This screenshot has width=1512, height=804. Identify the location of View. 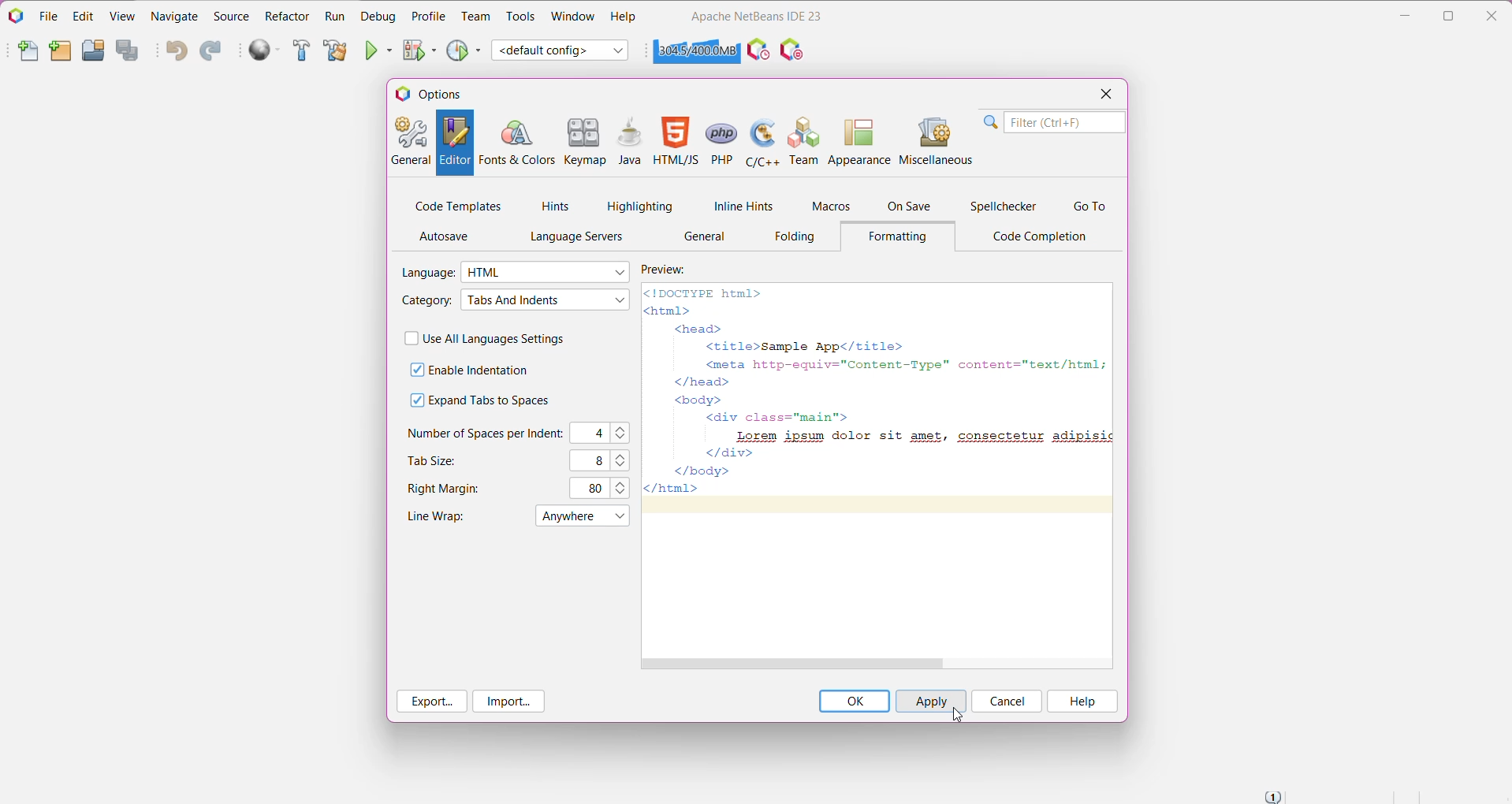
(124, 15).